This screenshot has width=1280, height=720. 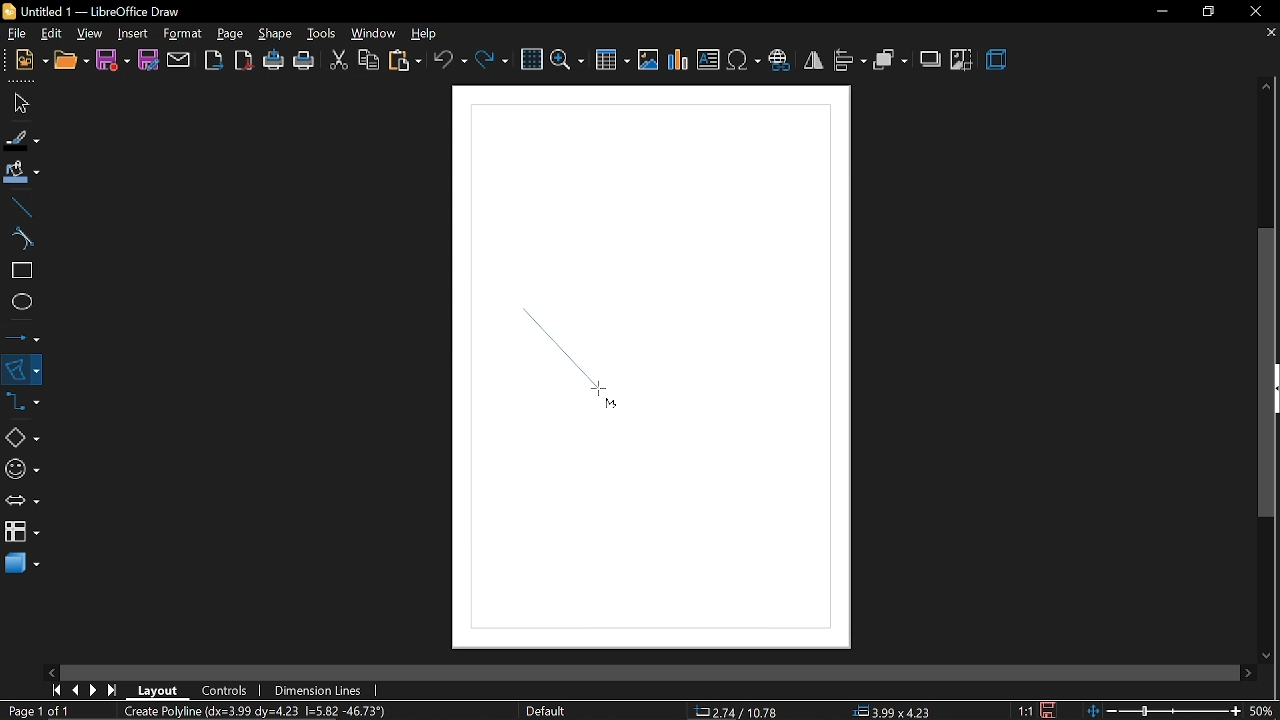 What do you see at coordinates (158, 689) in the screenshot?
I see `layout` at bounding box center [158, 689].